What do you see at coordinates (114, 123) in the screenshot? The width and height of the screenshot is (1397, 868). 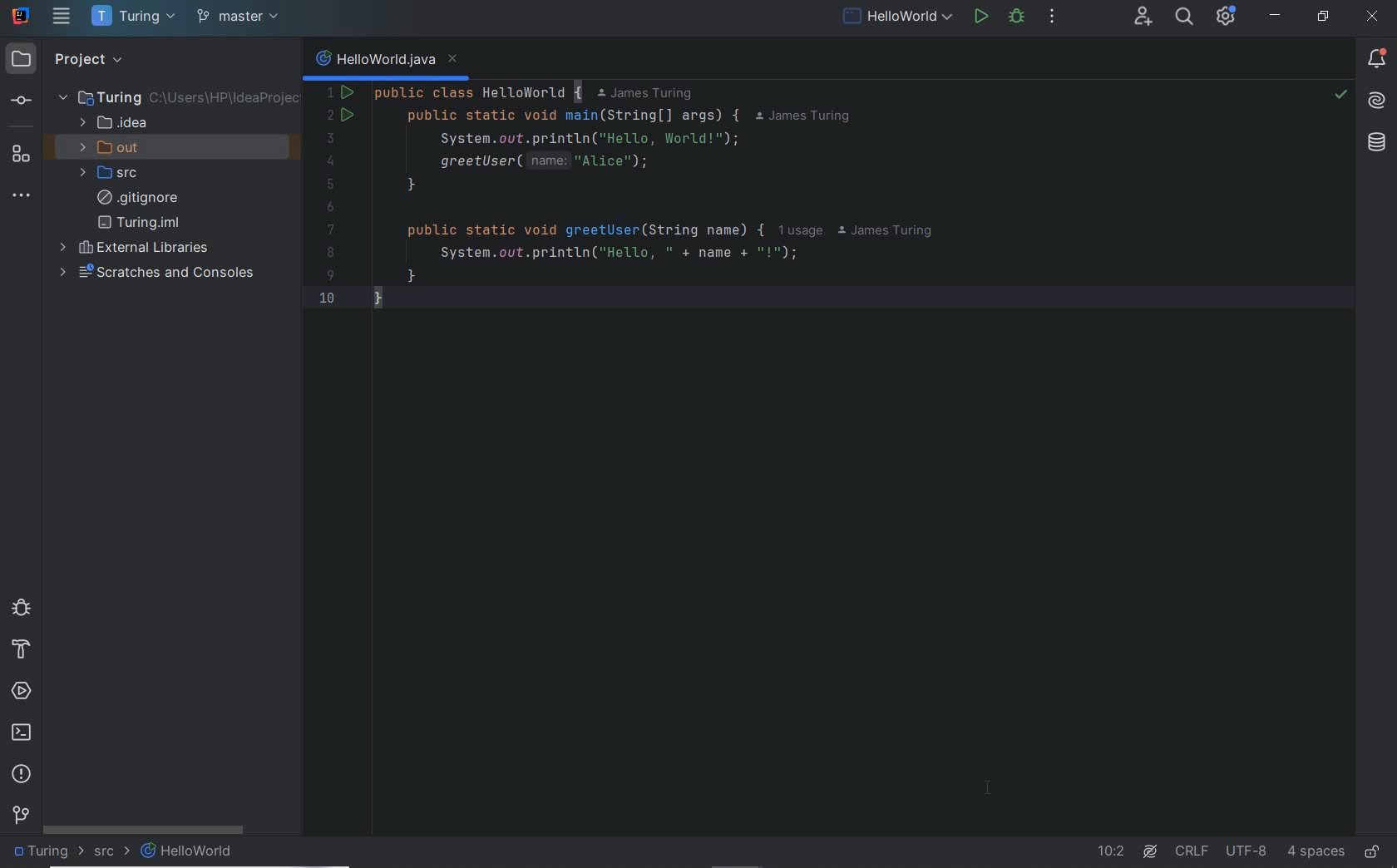 I see `.idea` at bounding box center [114, 123].